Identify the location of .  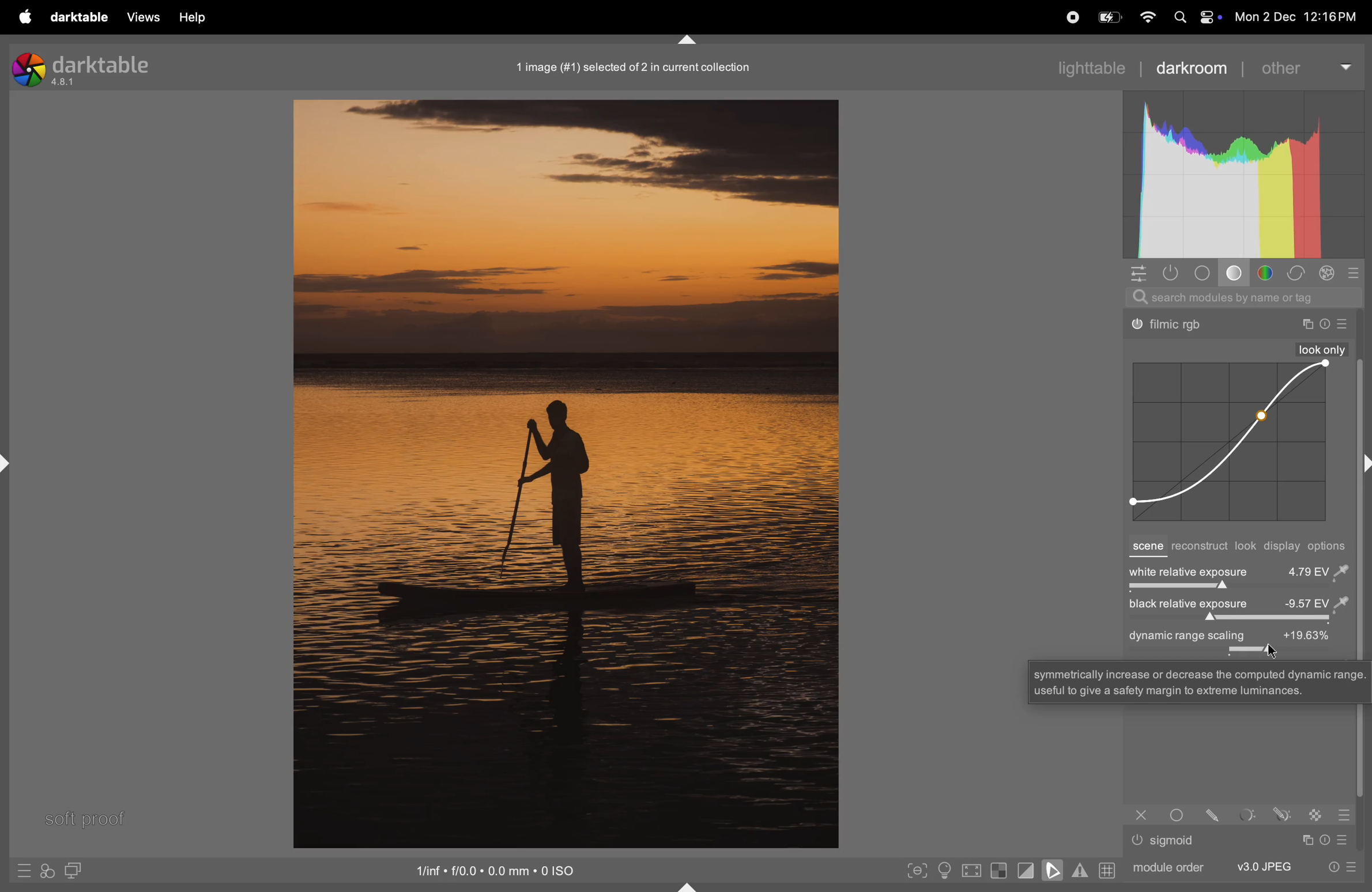
(566, 475).